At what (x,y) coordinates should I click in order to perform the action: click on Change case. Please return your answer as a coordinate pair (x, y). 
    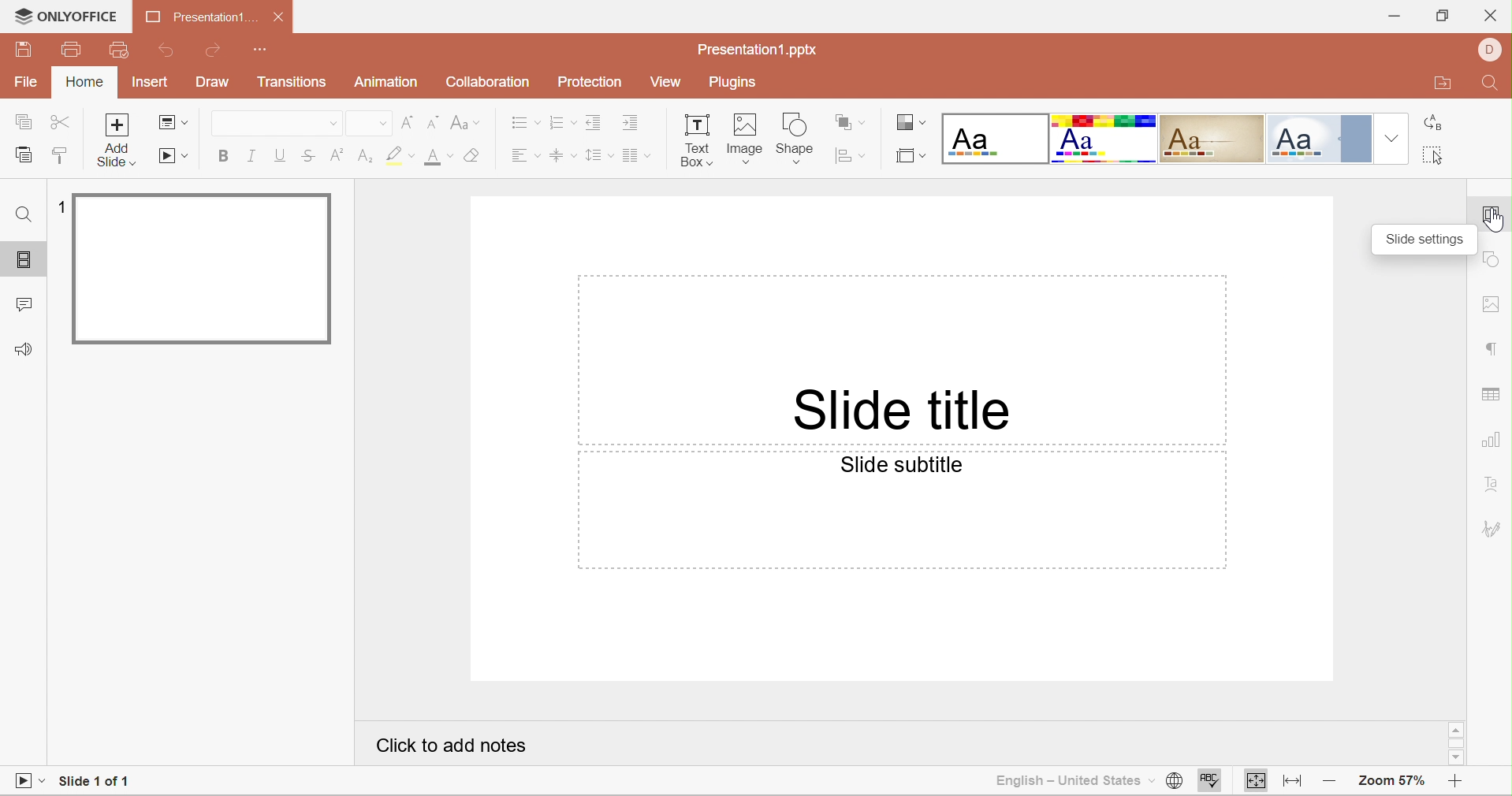
    Looking at the image, I should click on (462, 121).